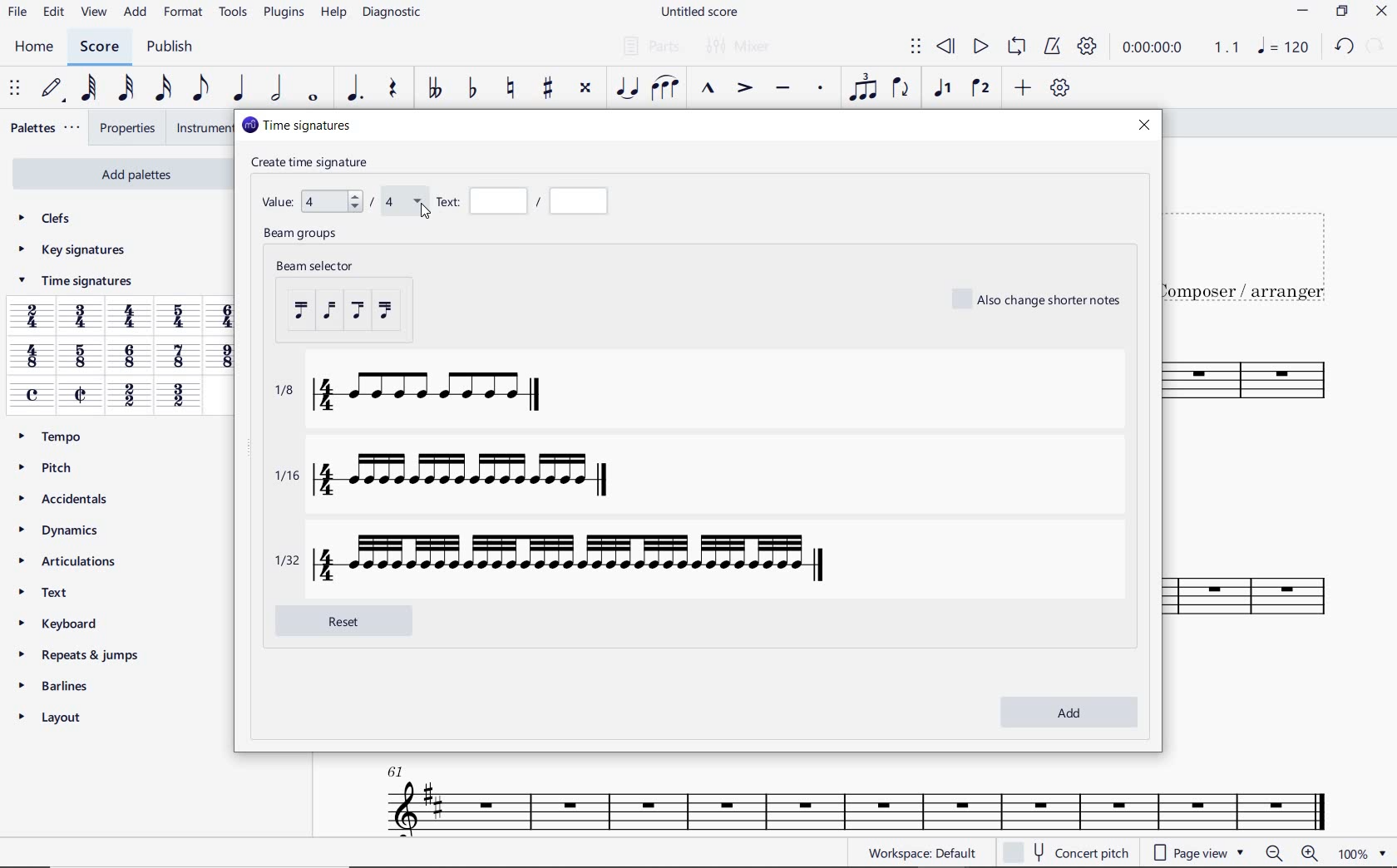  Describe the element at coordinates (35, 47) in the screenshot. I see `HOME` at that location.